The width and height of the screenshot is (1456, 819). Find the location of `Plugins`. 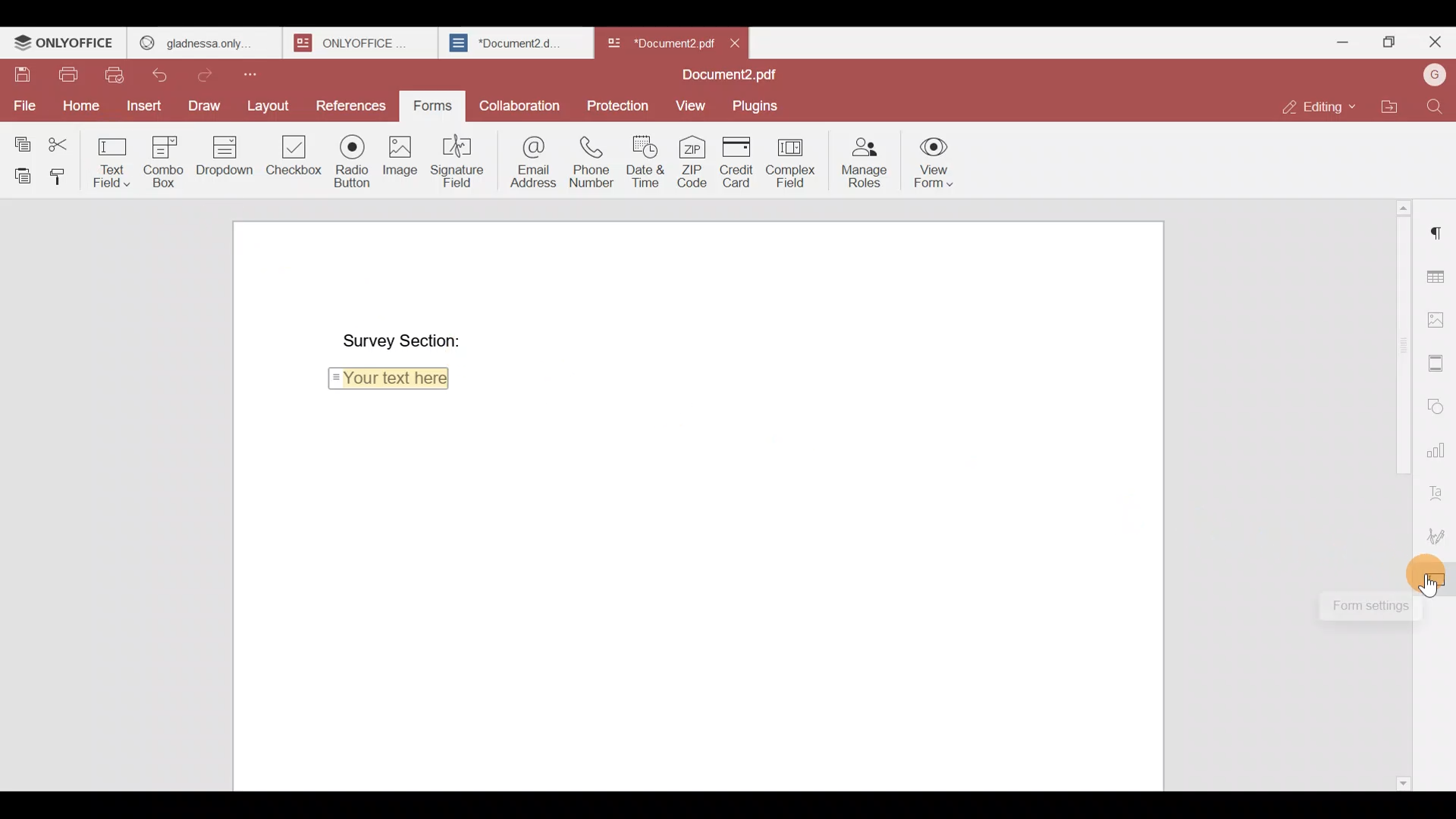

Plugins is located at coordinates (756, 105).